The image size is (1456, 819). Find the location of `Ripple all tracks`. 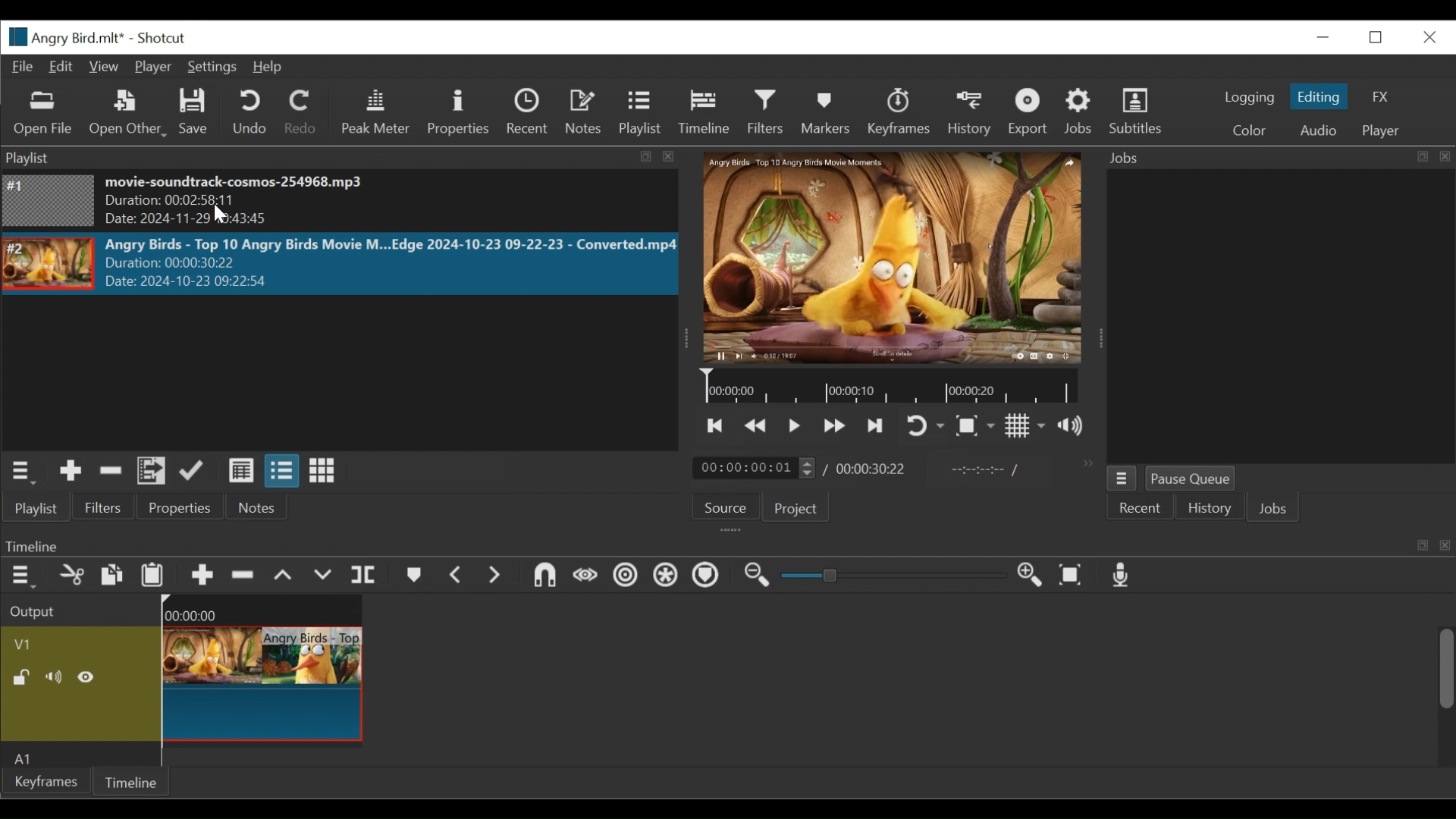

Ripple all tracks is located at coordinates (667, 578).